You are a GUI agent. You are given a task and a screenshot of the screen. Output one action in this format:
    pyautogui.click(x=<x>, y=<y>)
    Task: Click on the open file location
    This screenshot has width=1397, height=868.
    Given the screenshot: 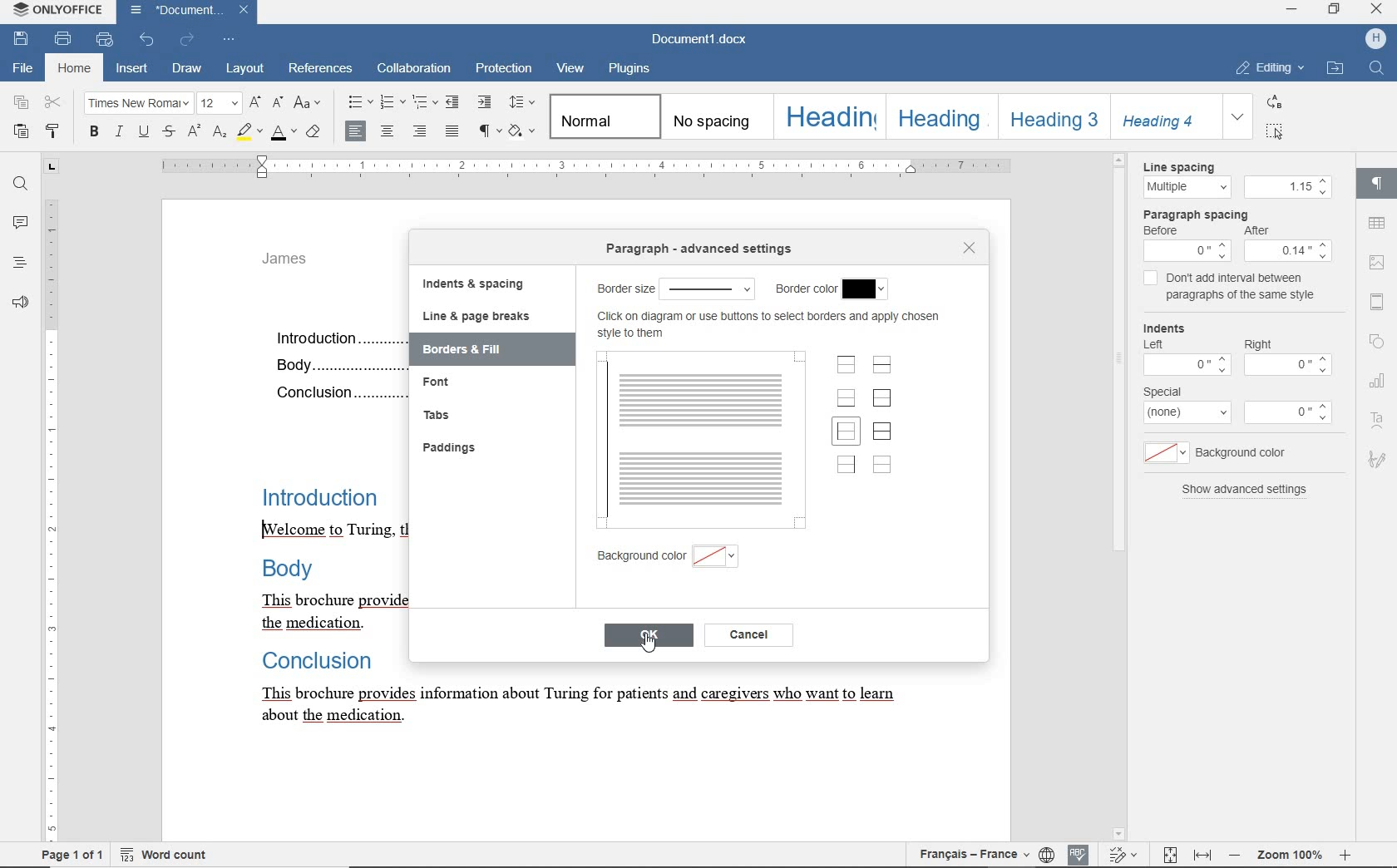 What is the action you would take?
    pyautogui.click(x=1335, y=70)
    